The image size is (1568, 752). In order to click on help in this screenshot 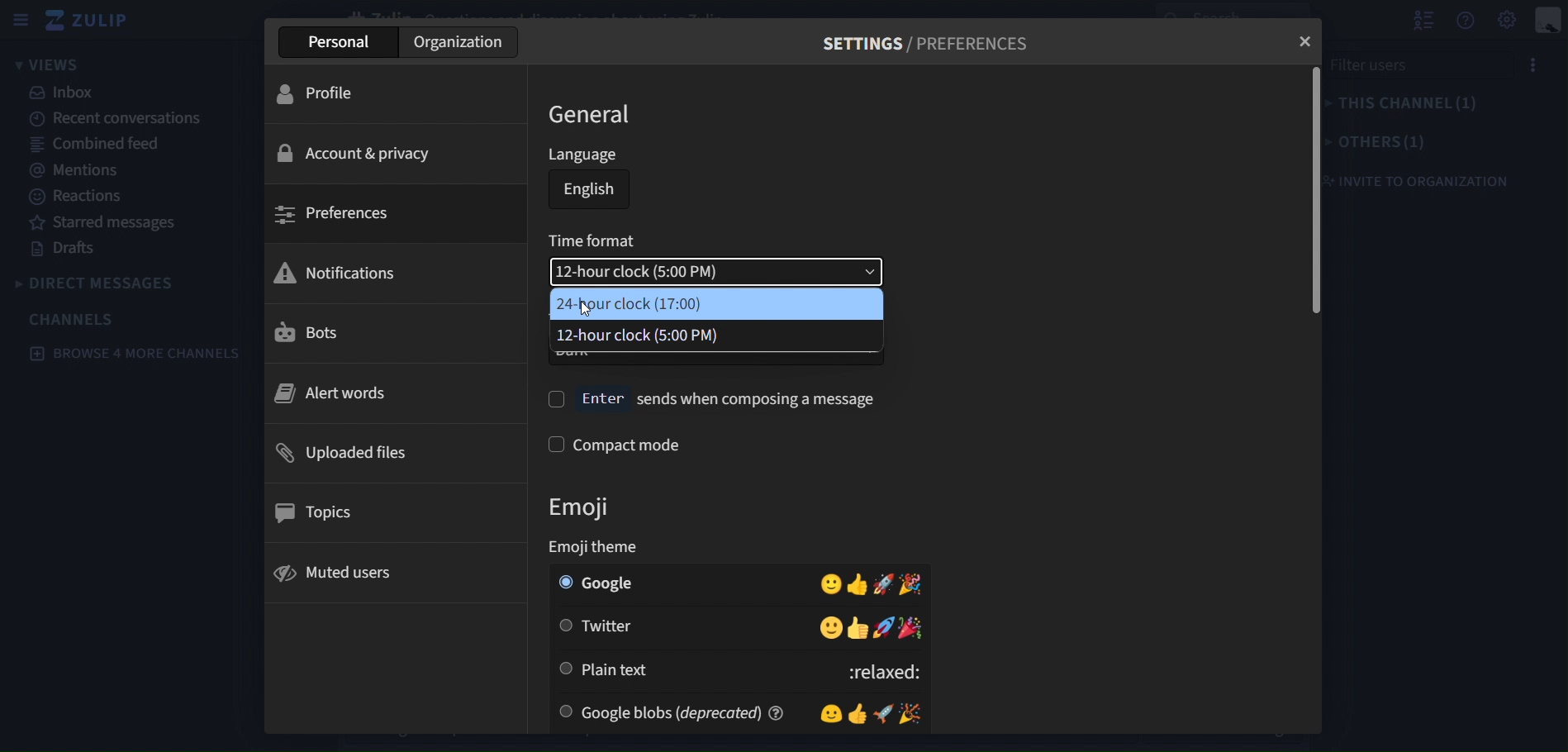, I will do `click(783, 713)`.